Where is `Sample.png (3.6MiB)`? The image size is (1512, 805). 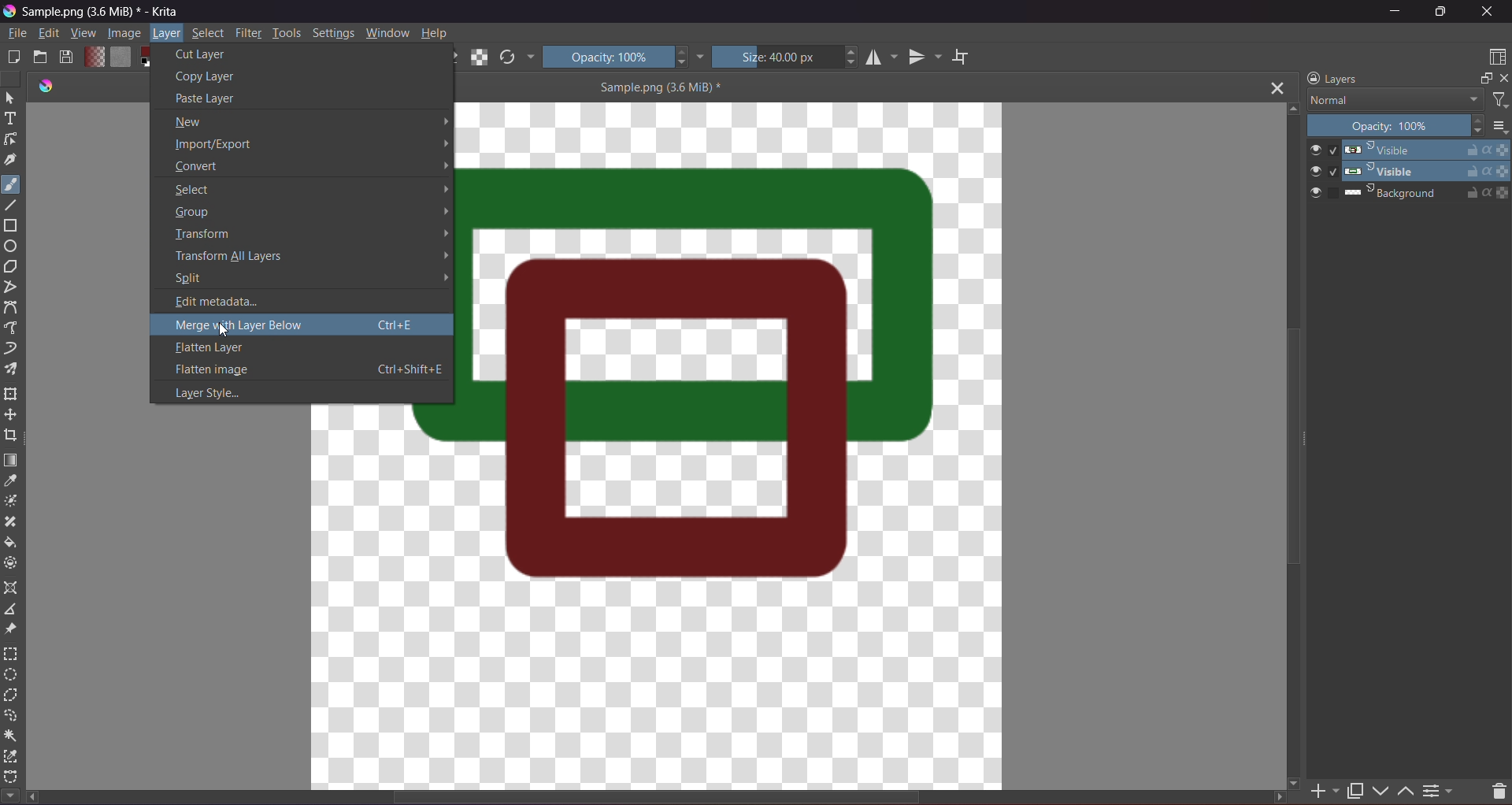 Sample.png (3.6MiB) is located at coordinates (659, 87).